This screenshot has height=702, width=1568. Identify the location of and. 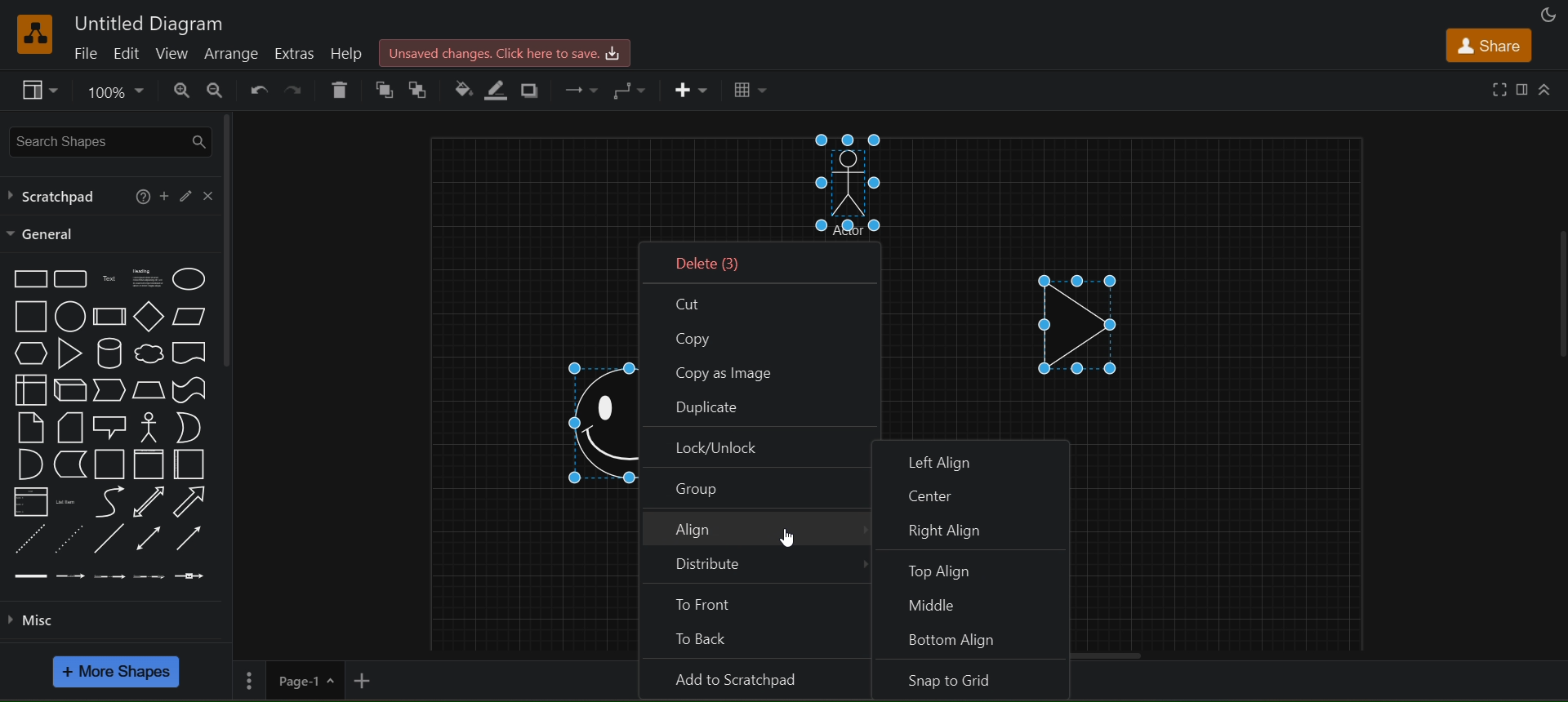
(28, 464).